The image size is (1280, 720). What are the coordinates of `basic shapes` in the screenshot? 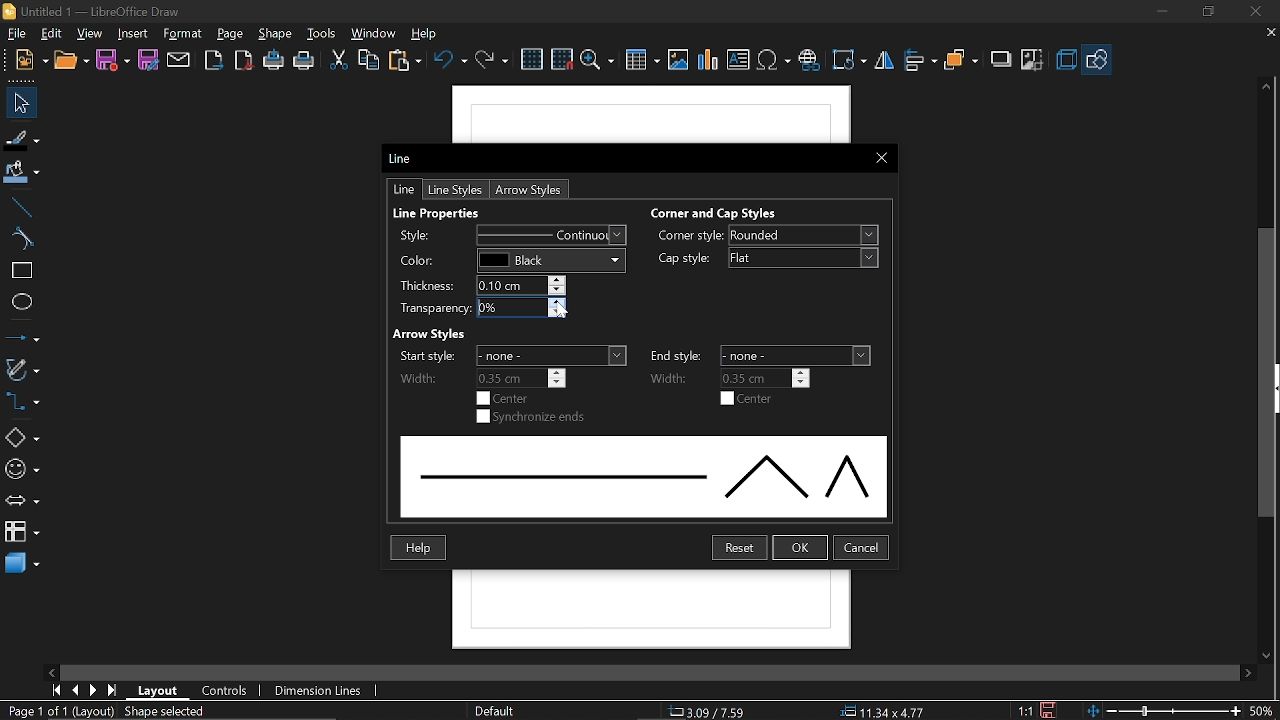 It's located at (20, 440).